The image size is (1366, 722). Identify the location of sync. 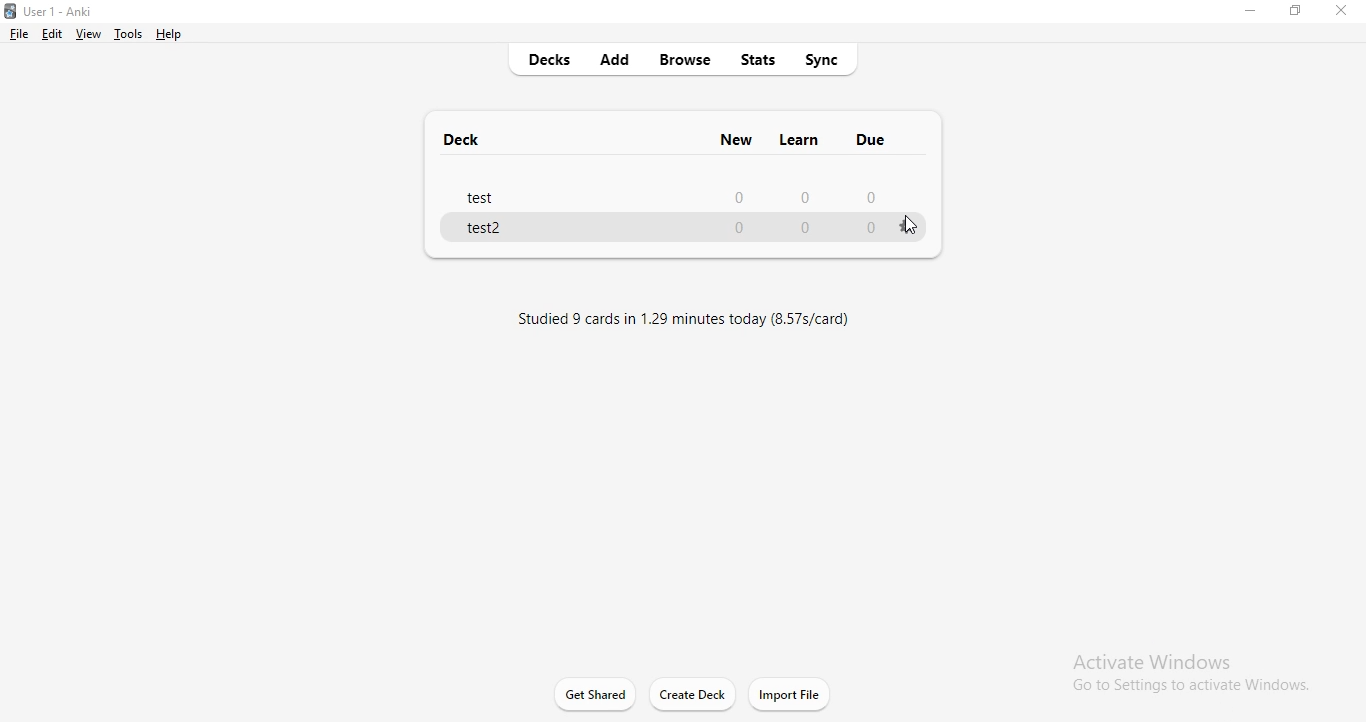
(827, 63).